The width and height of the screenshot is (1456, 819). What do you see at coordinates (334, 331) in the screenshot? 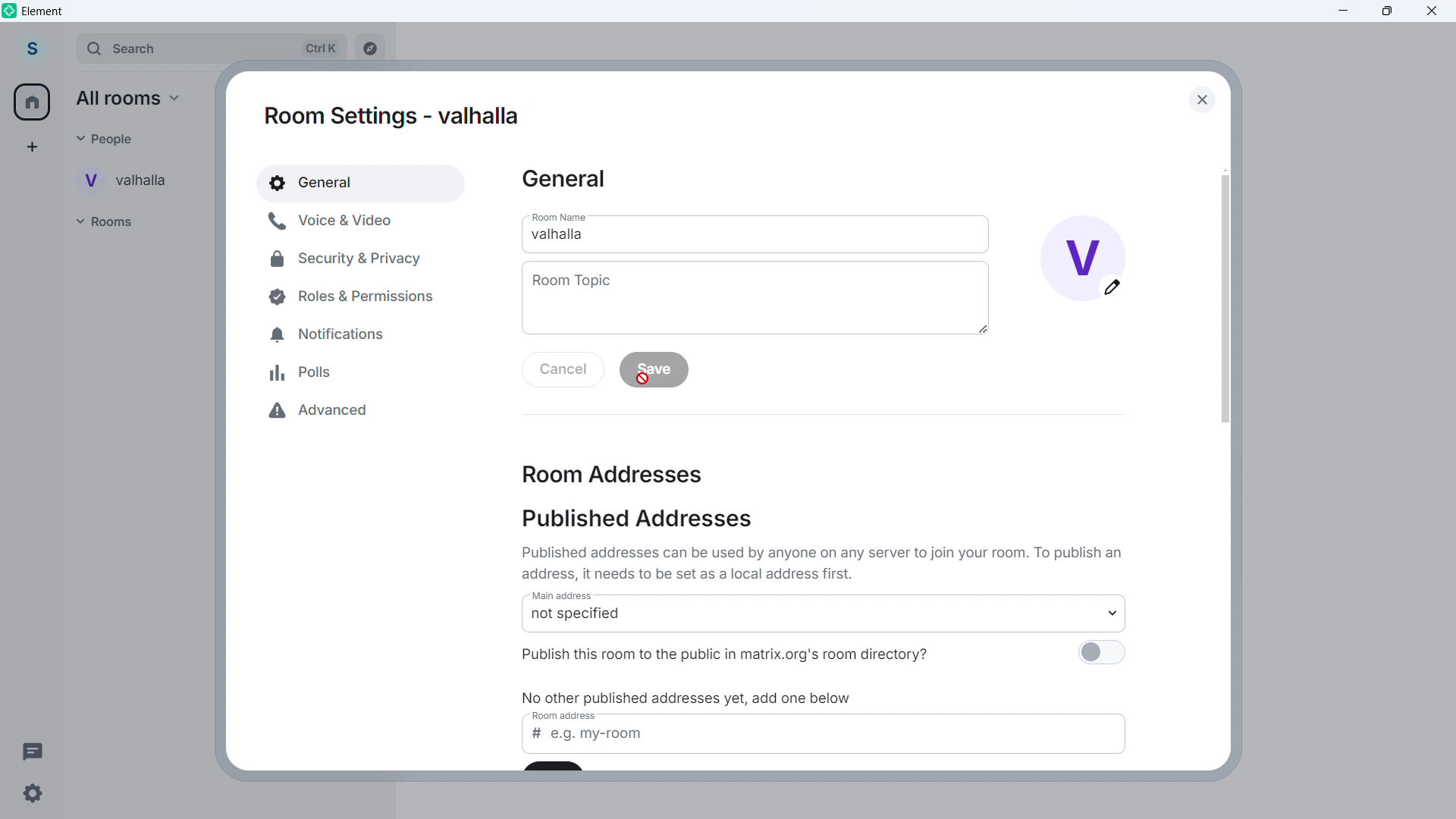
I see `Notifications ` at bounding box center [334, 331].